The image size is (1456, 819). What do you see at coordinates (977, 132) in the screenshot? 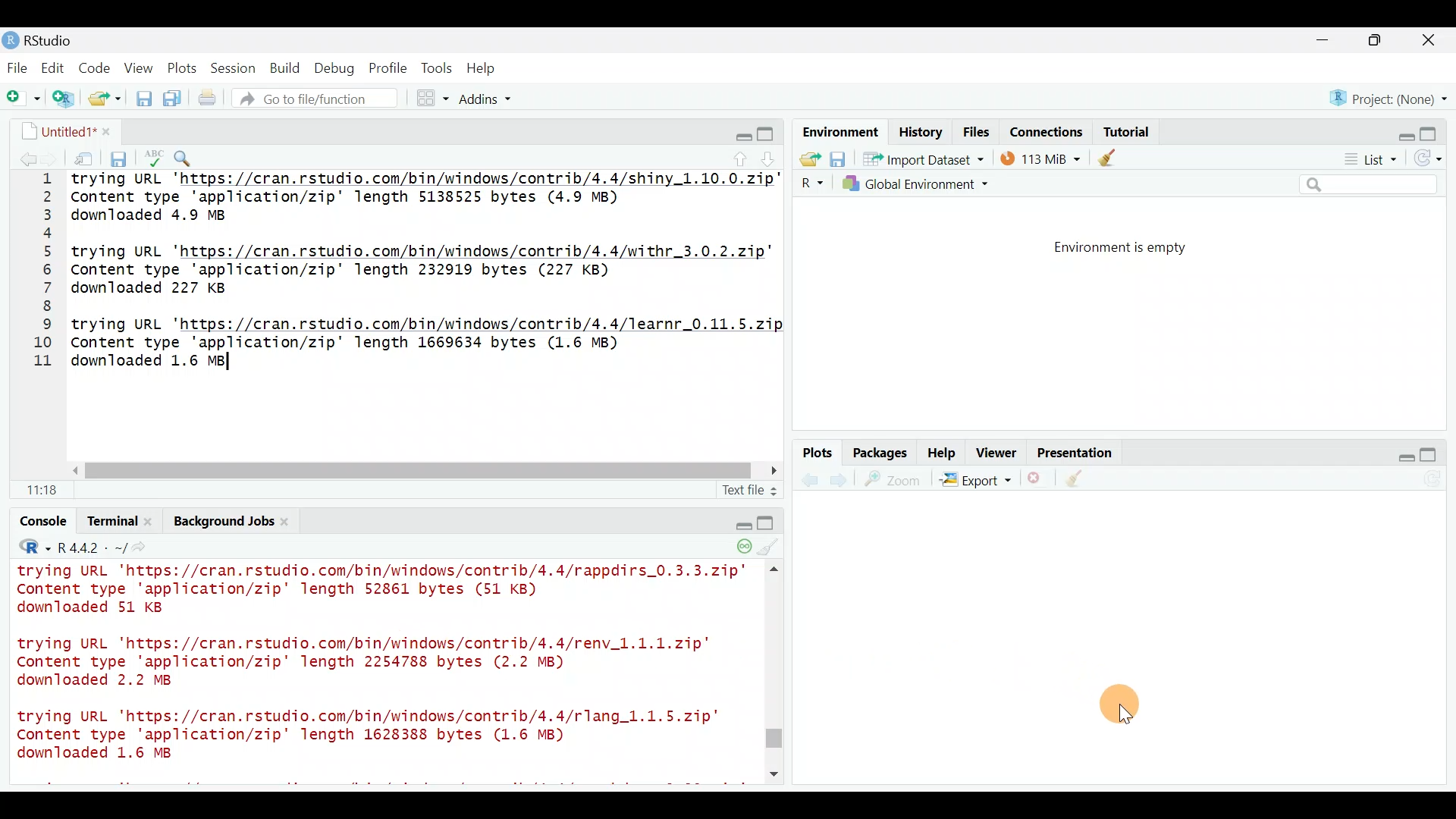
I see `Files` at bounding box center [977, 132].